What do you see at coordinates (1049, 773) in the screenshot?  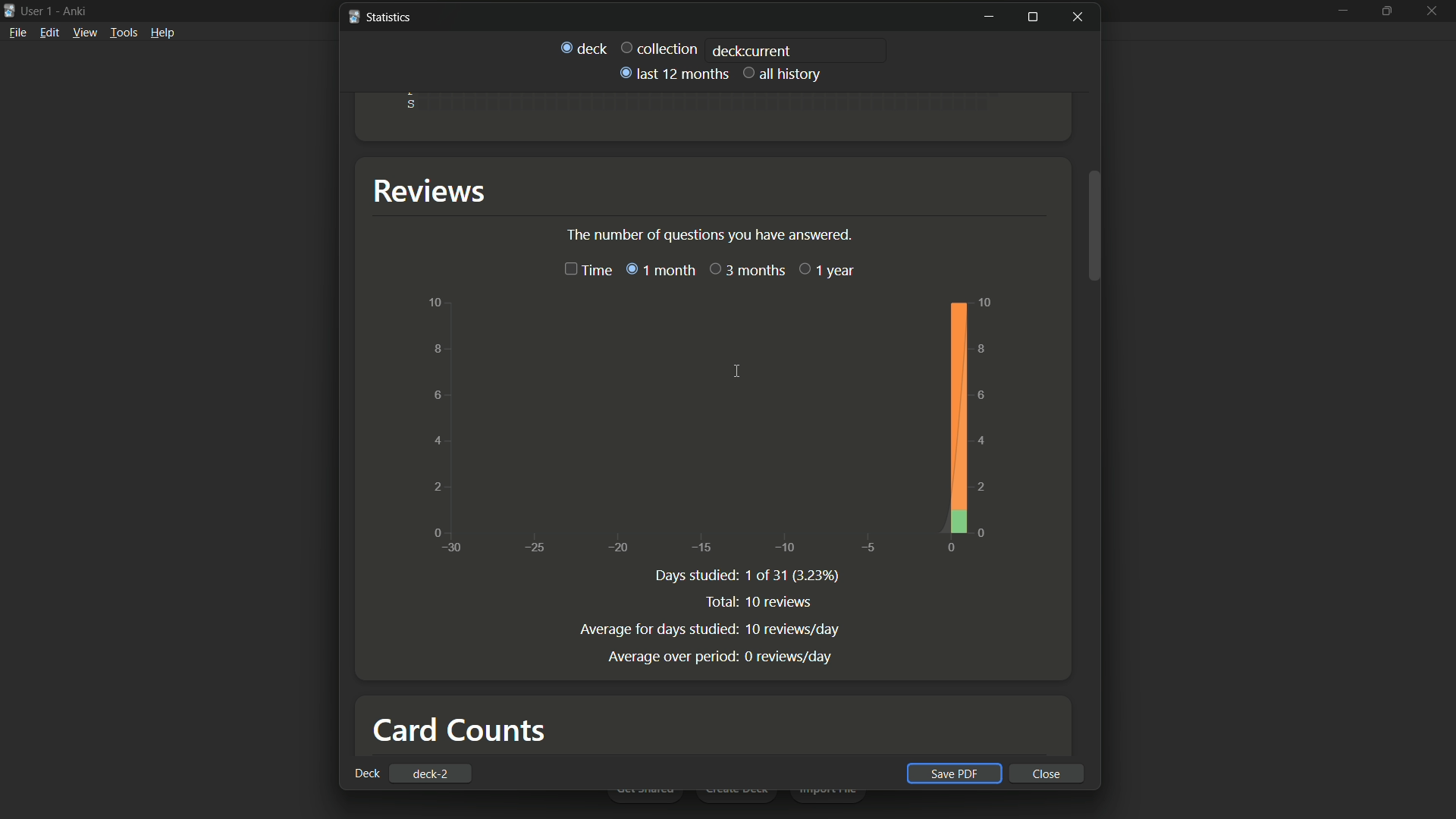 I see `Close` at bounding box center [1049, 773].